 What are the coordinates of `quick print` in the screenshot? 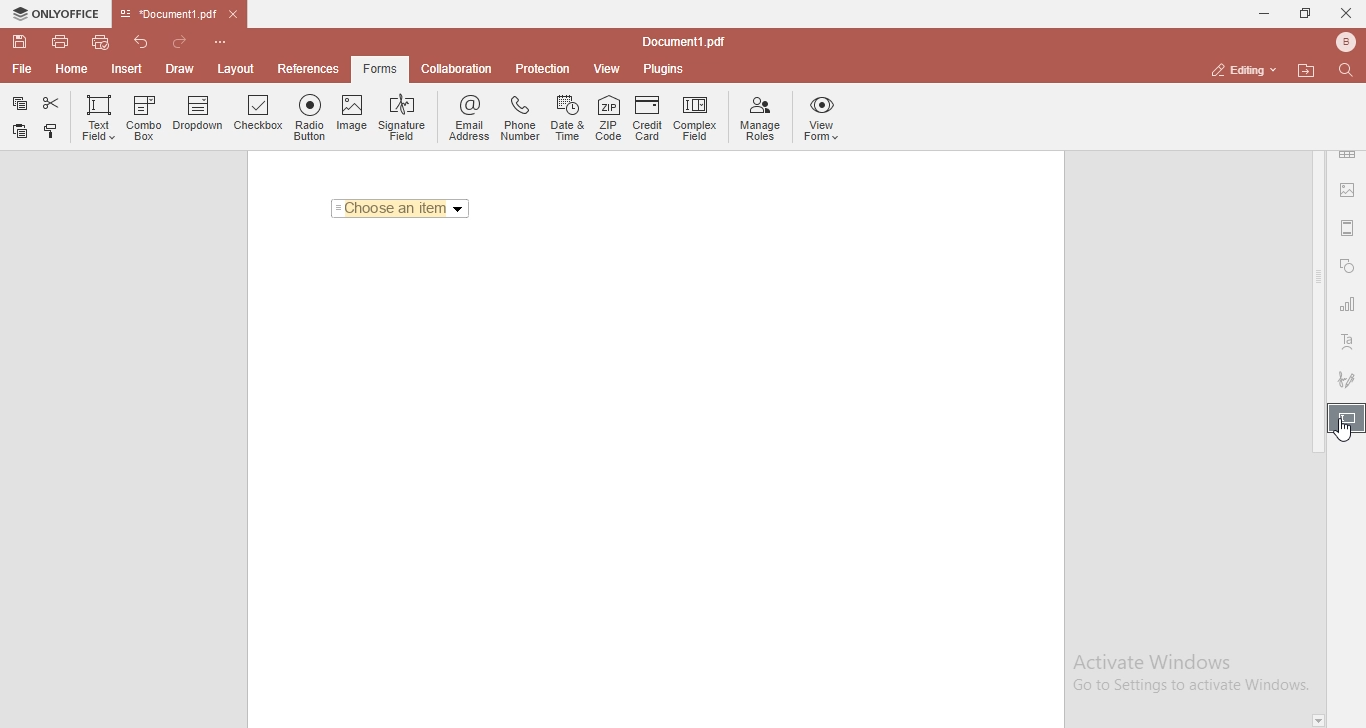 It's located at (102, 41).